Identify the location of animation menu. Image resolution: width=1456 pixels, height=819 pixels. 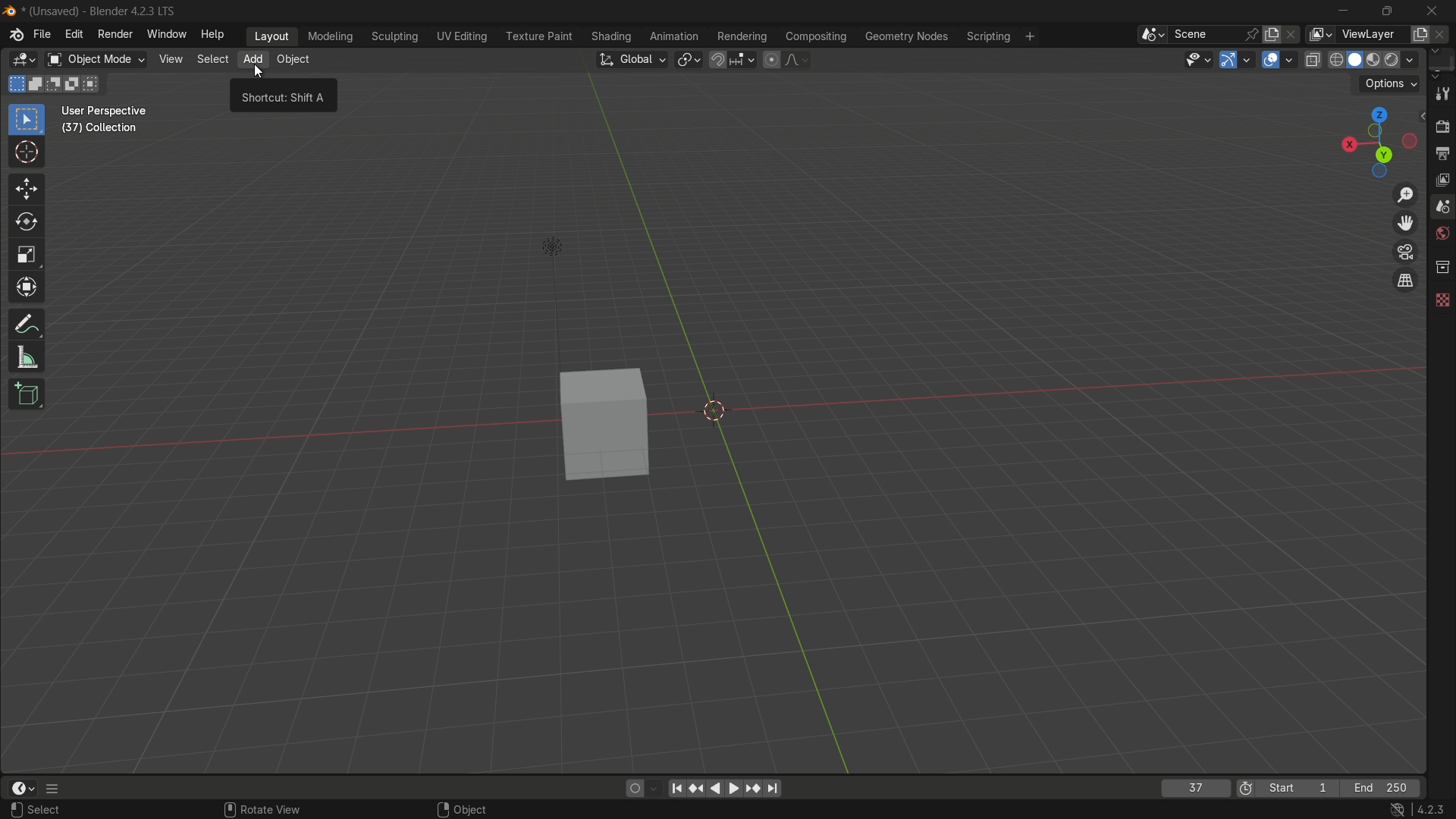
(674, 36).